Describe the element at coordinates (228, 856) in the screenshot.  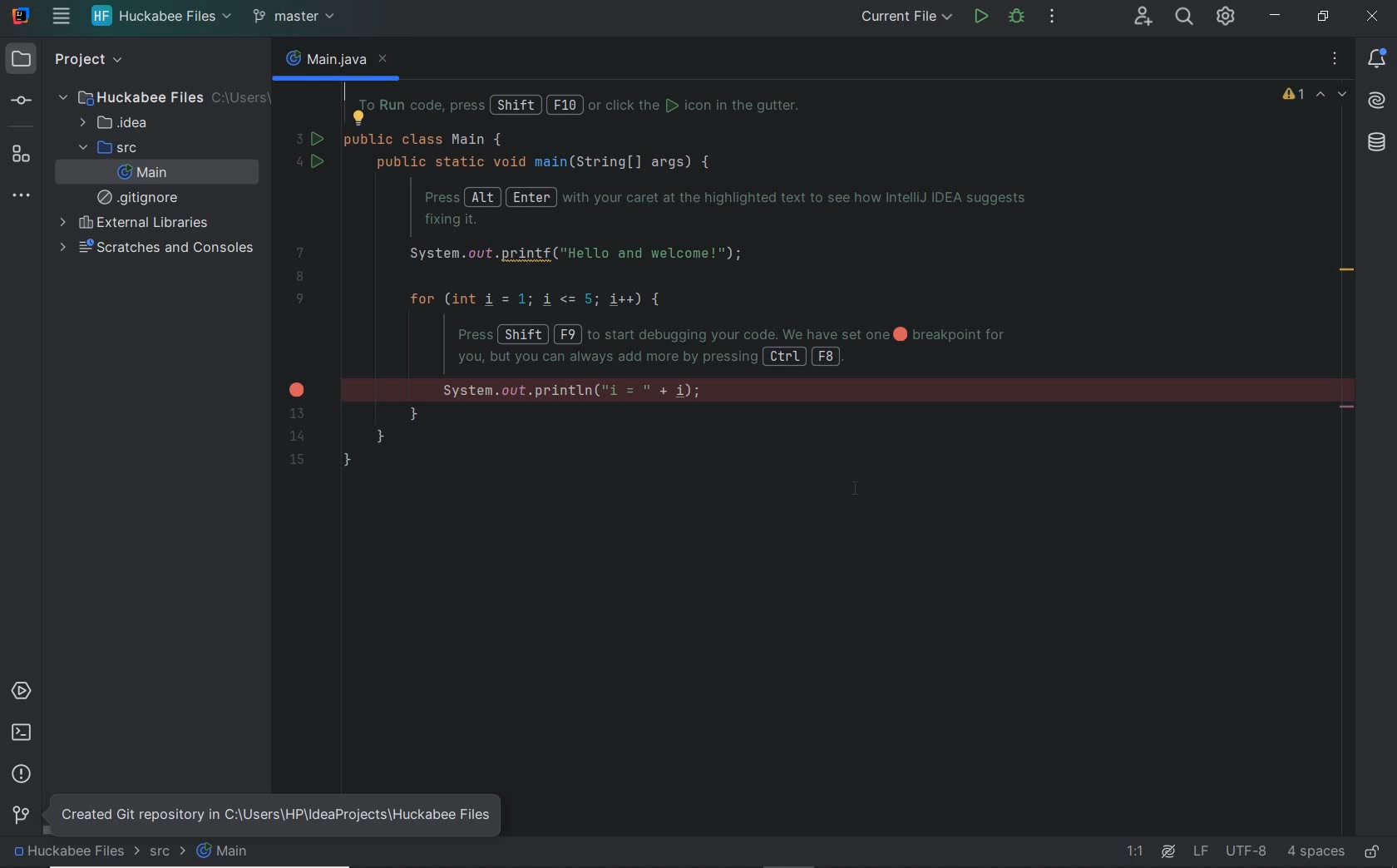
I see `main` at that location.